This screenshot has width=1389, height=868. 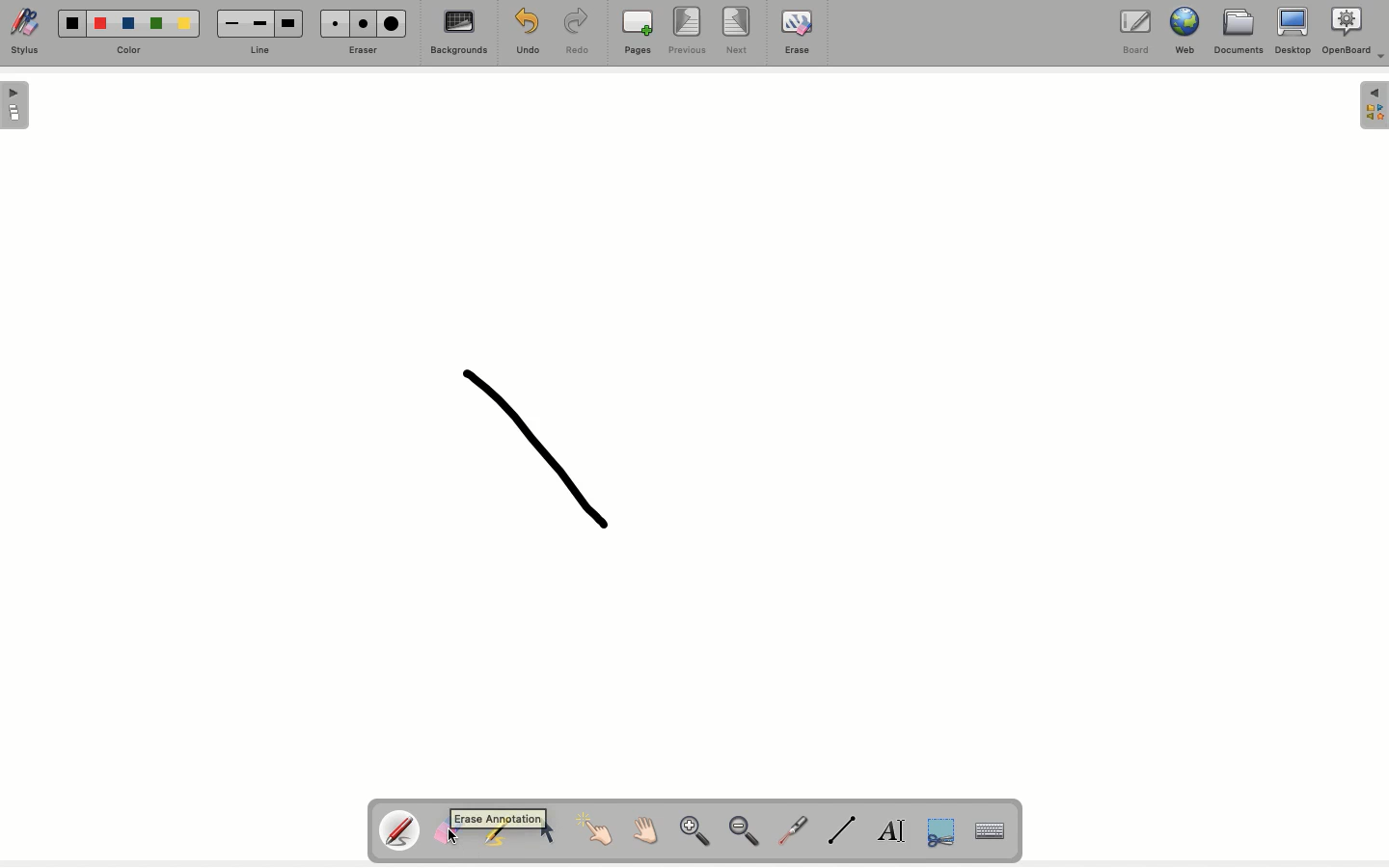 What do you see at coordinates (738, 30) in the screenshot?
I see `Next` at bounding box center [738, 30].